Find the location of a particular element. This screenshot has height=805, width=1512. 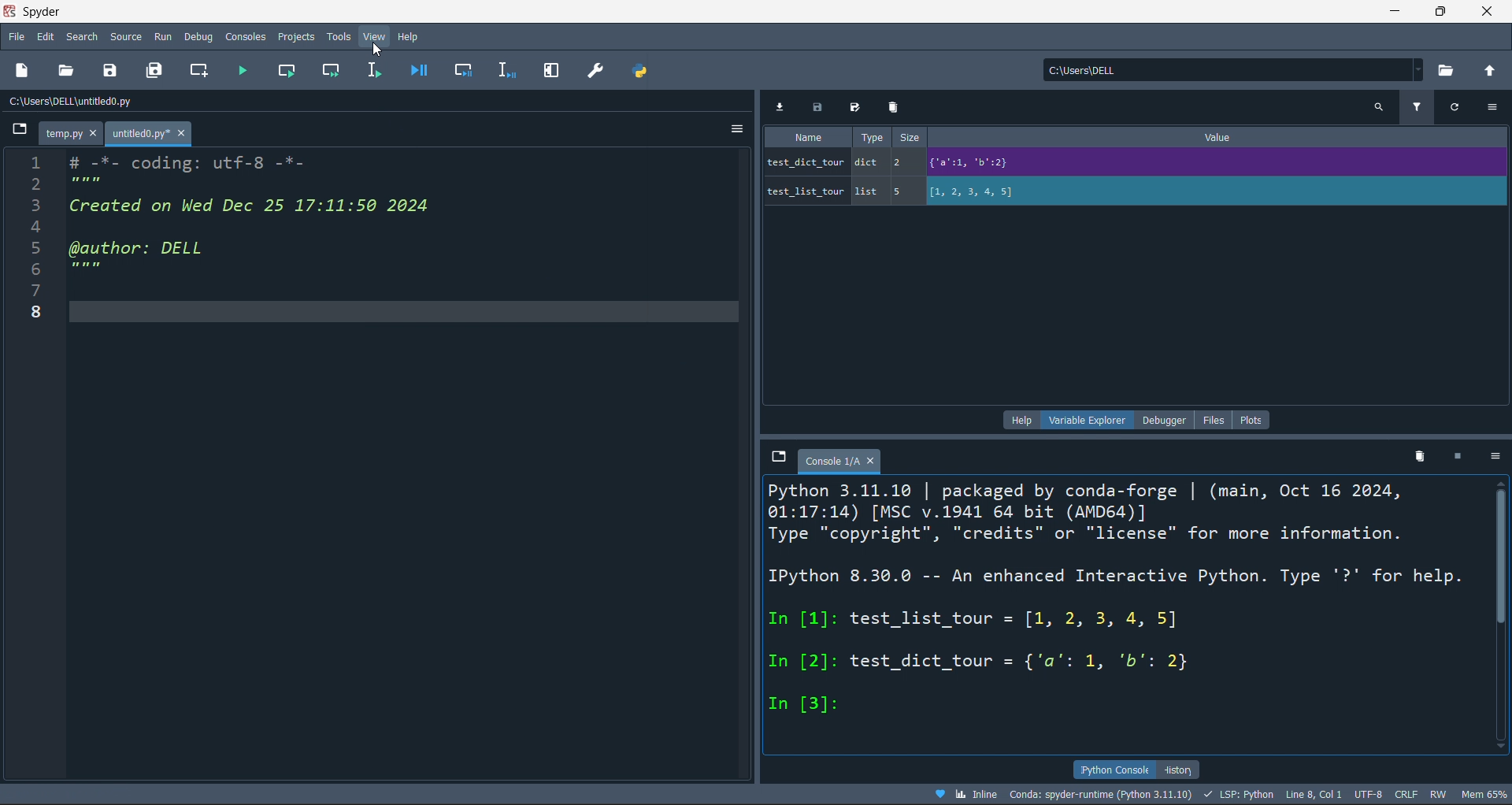

more options is located at coordinates (1492, 109).